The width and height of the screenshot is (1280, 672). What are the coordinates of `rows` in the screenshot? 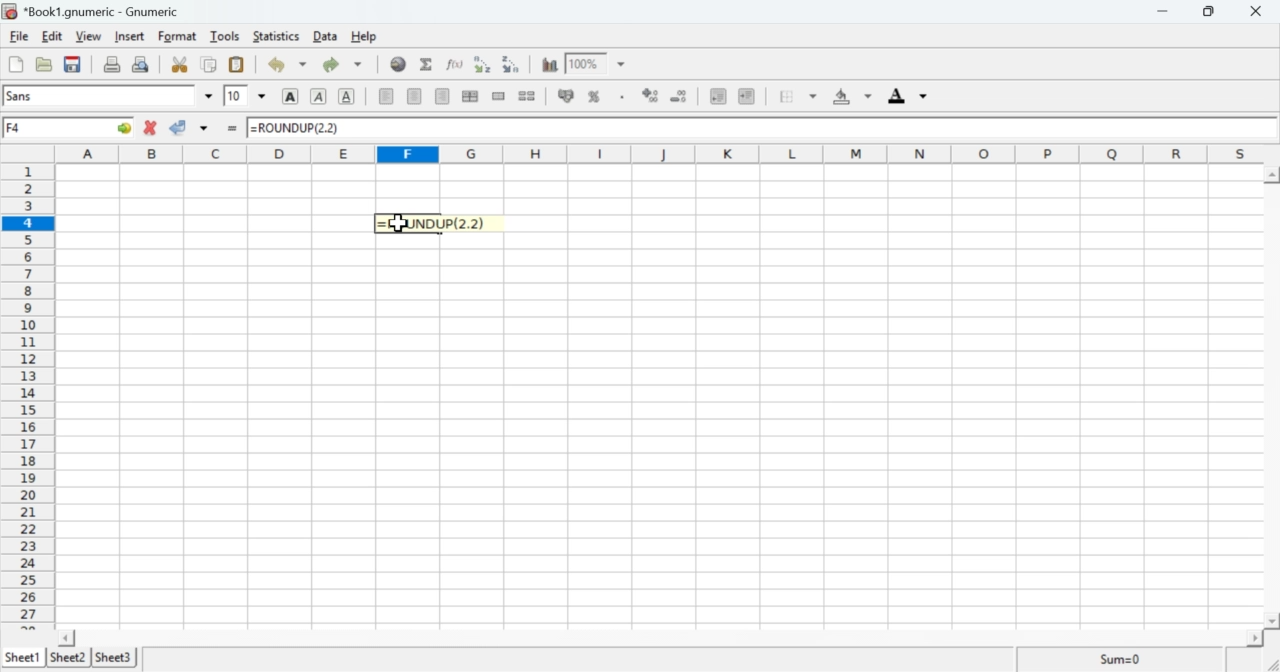 It's located at (29, 392).